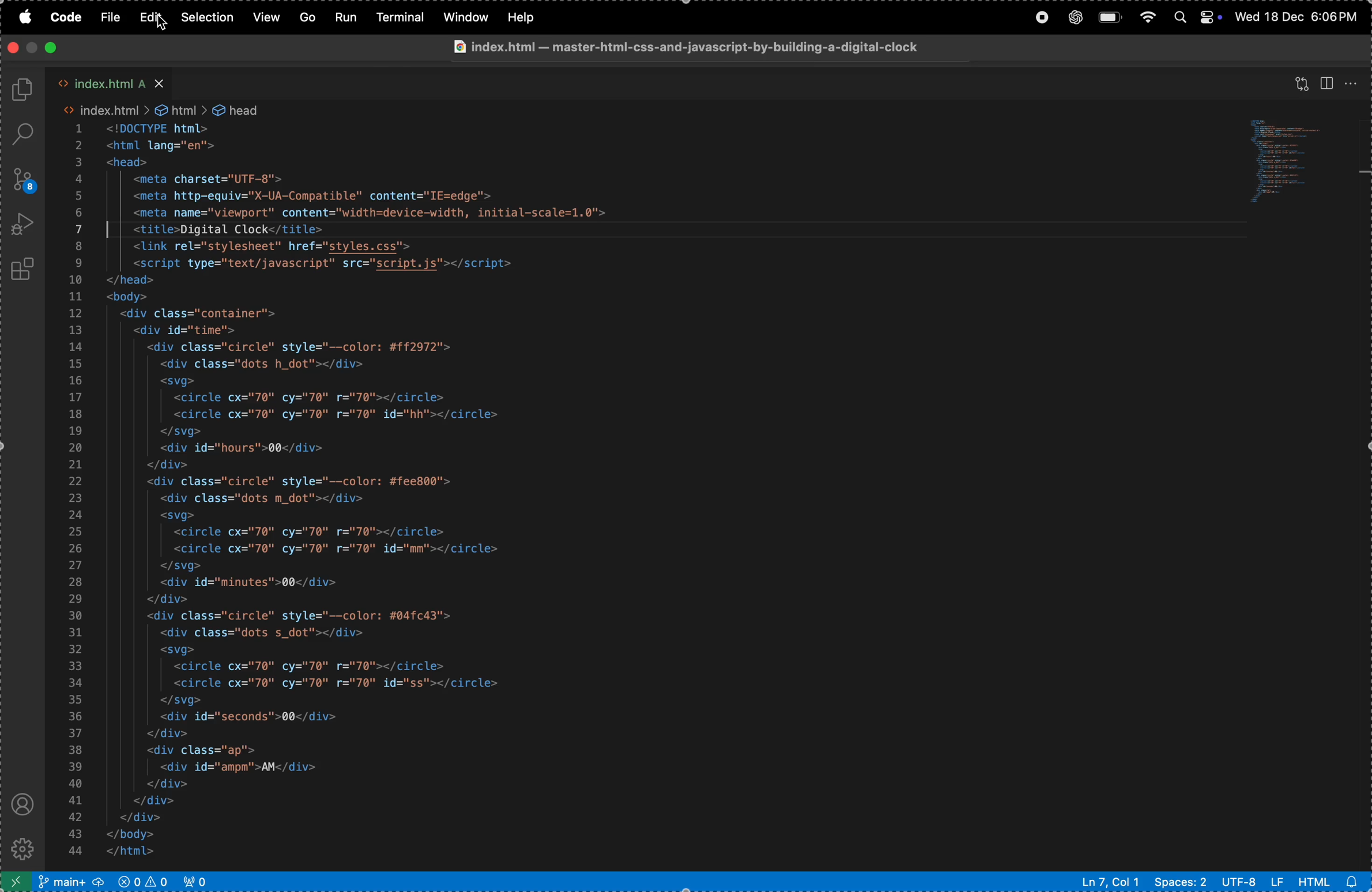 This screenshot has width=1372, height=892. I want to click on battery, so click(1109, 17).